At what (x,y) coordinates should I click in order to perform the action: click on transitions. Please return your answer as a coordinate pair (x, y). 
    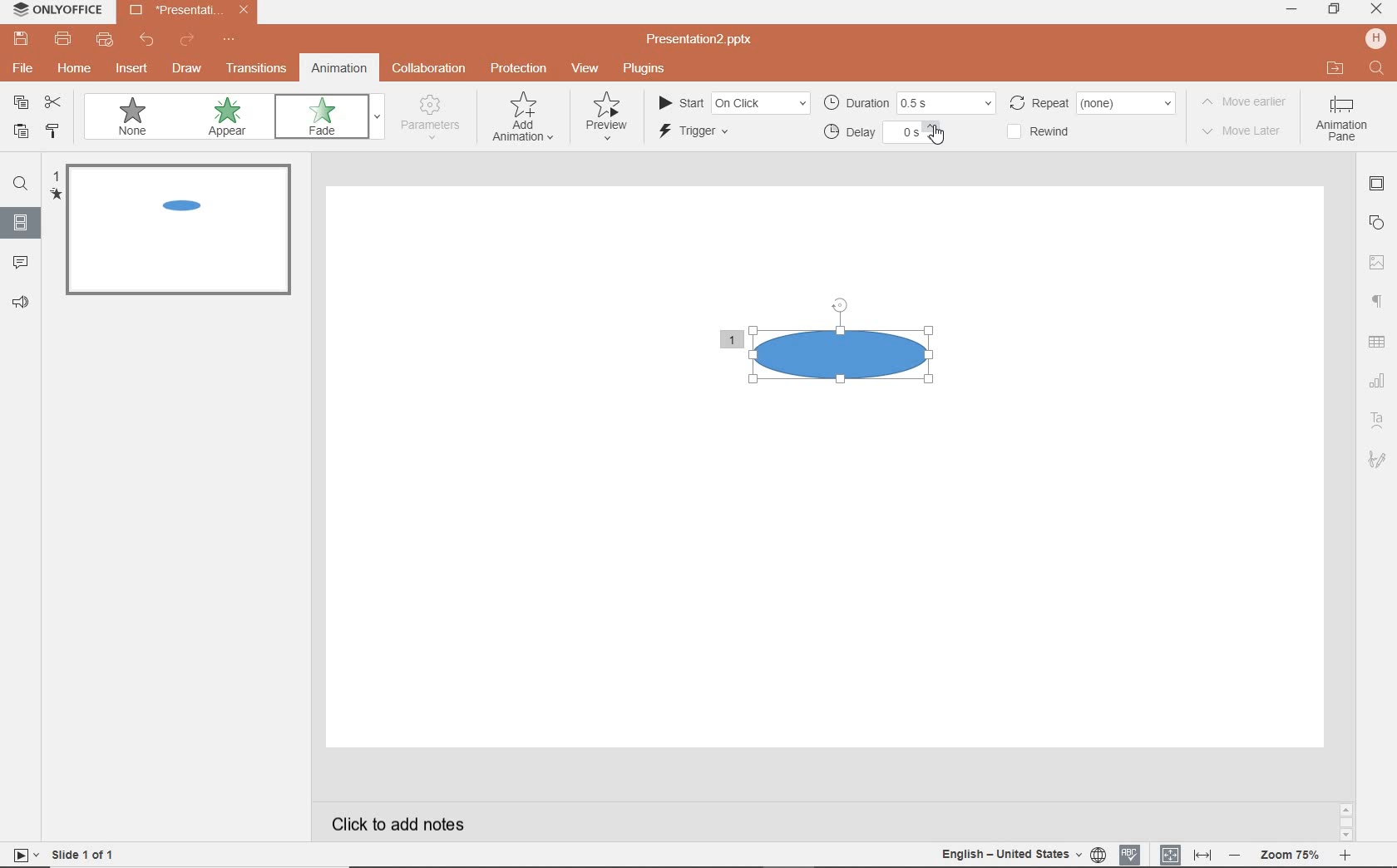
    Looking at the image, I should click on (256, 69).